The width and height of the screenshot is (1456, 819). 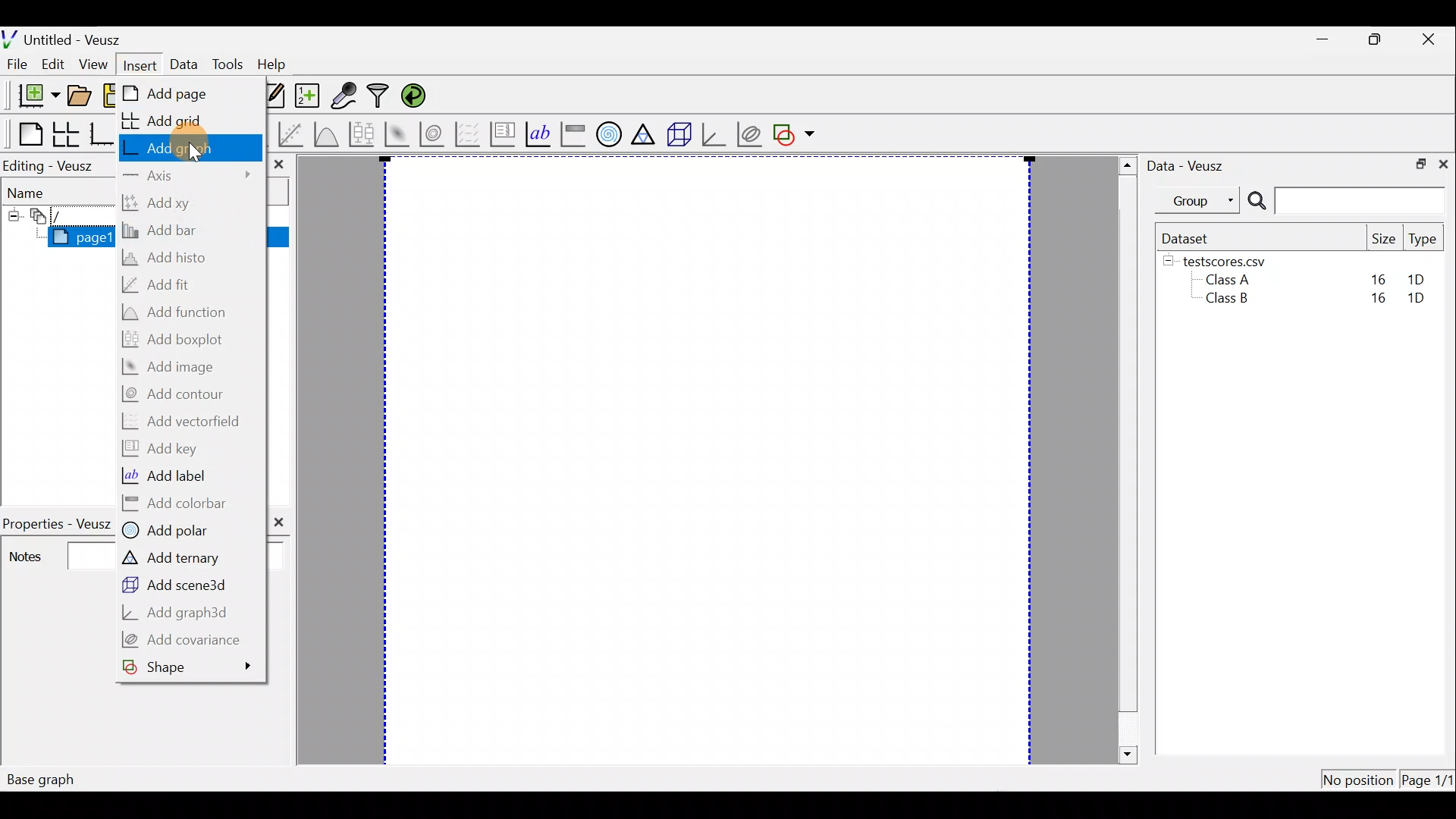 I want to click on Type, so click(x=1423, y=240).